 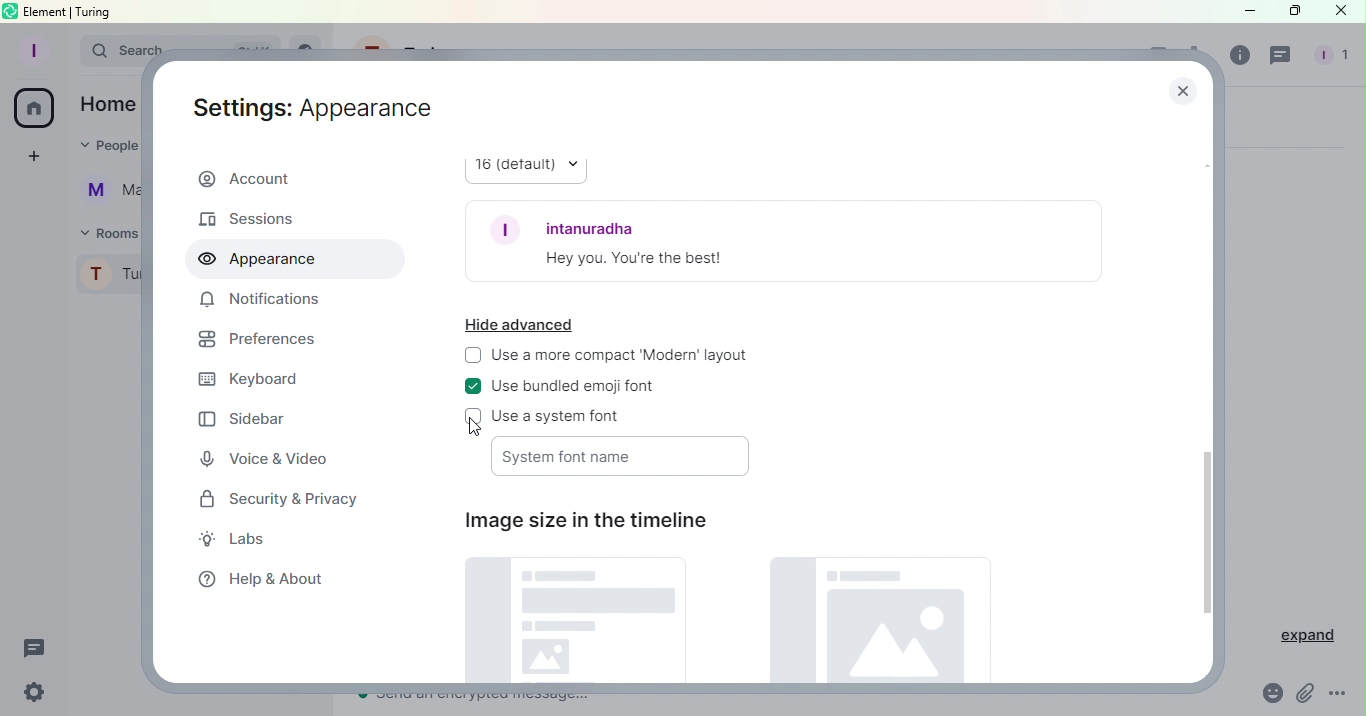 I want to click on element logo, so click(x=11, y=11).